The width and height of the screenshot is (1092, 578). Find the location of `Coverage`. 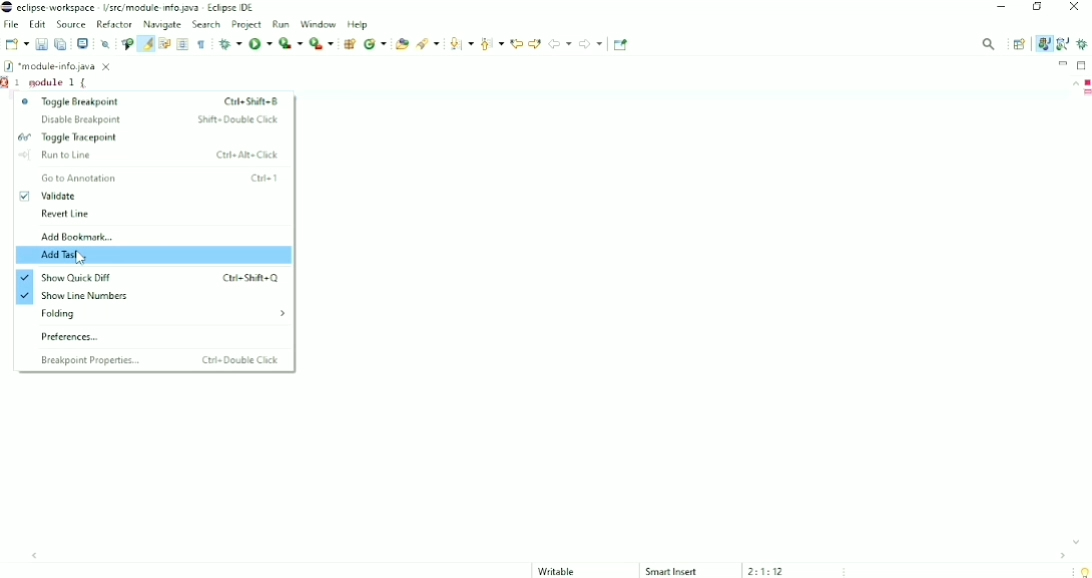

Coverage is located at coordinates (290, 43).